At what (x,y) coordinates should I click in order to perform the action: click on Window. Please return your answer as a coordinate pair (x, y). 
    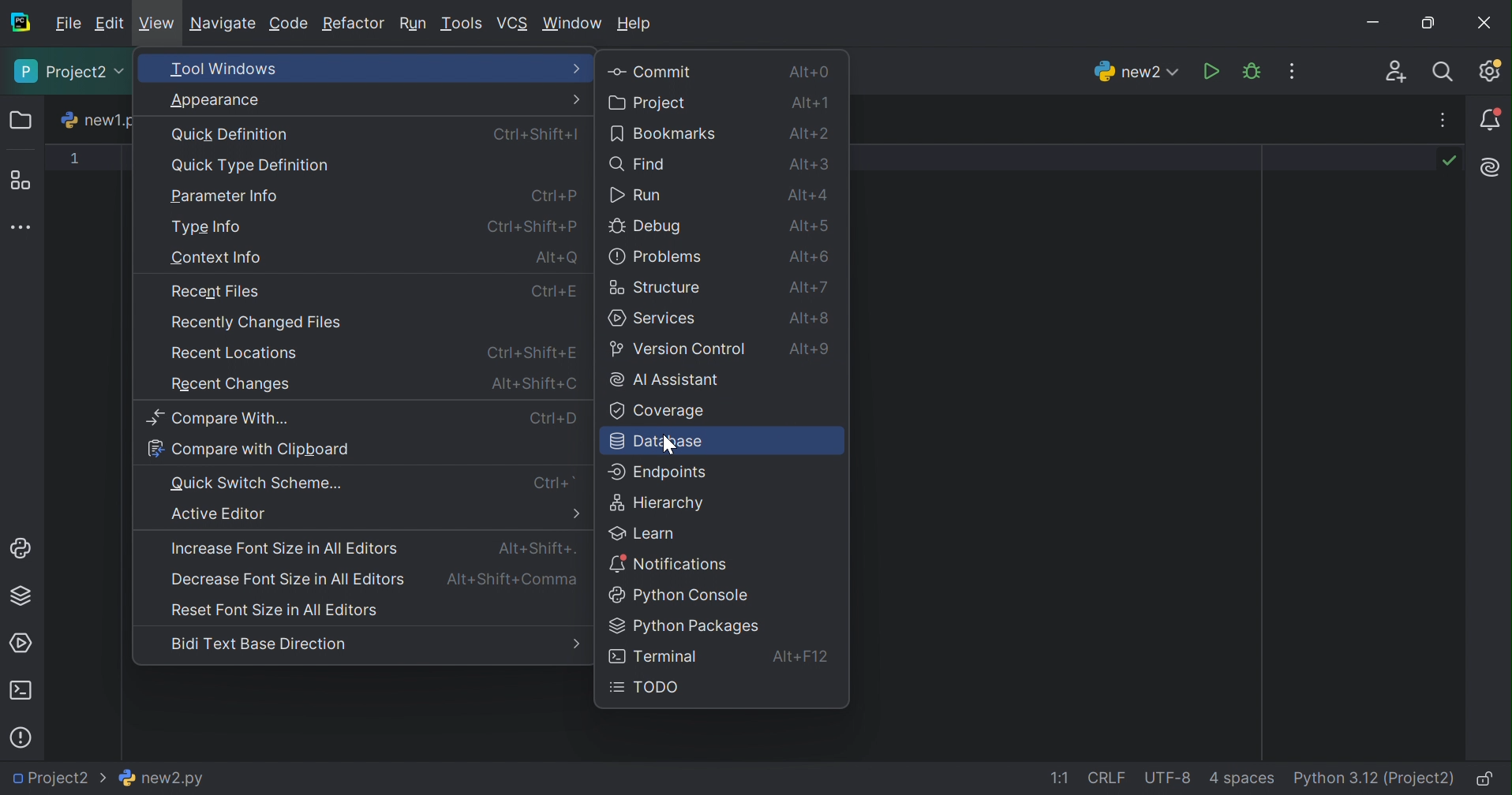
    Looking at the image, I should click on (573, 24).